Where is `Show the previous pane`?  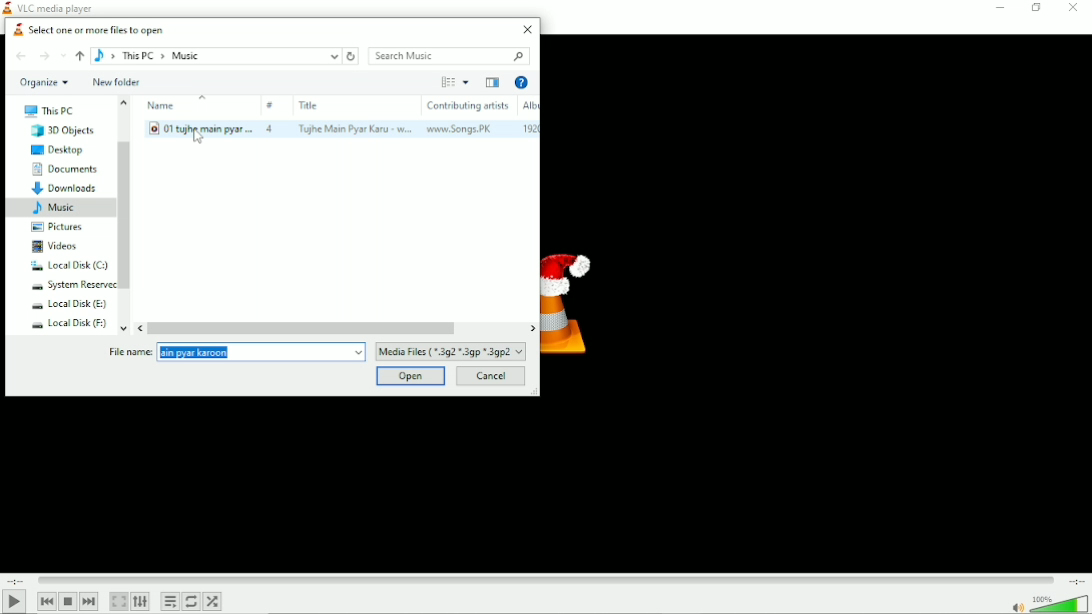 Show the previous pane is located at coordinates (492, 82).